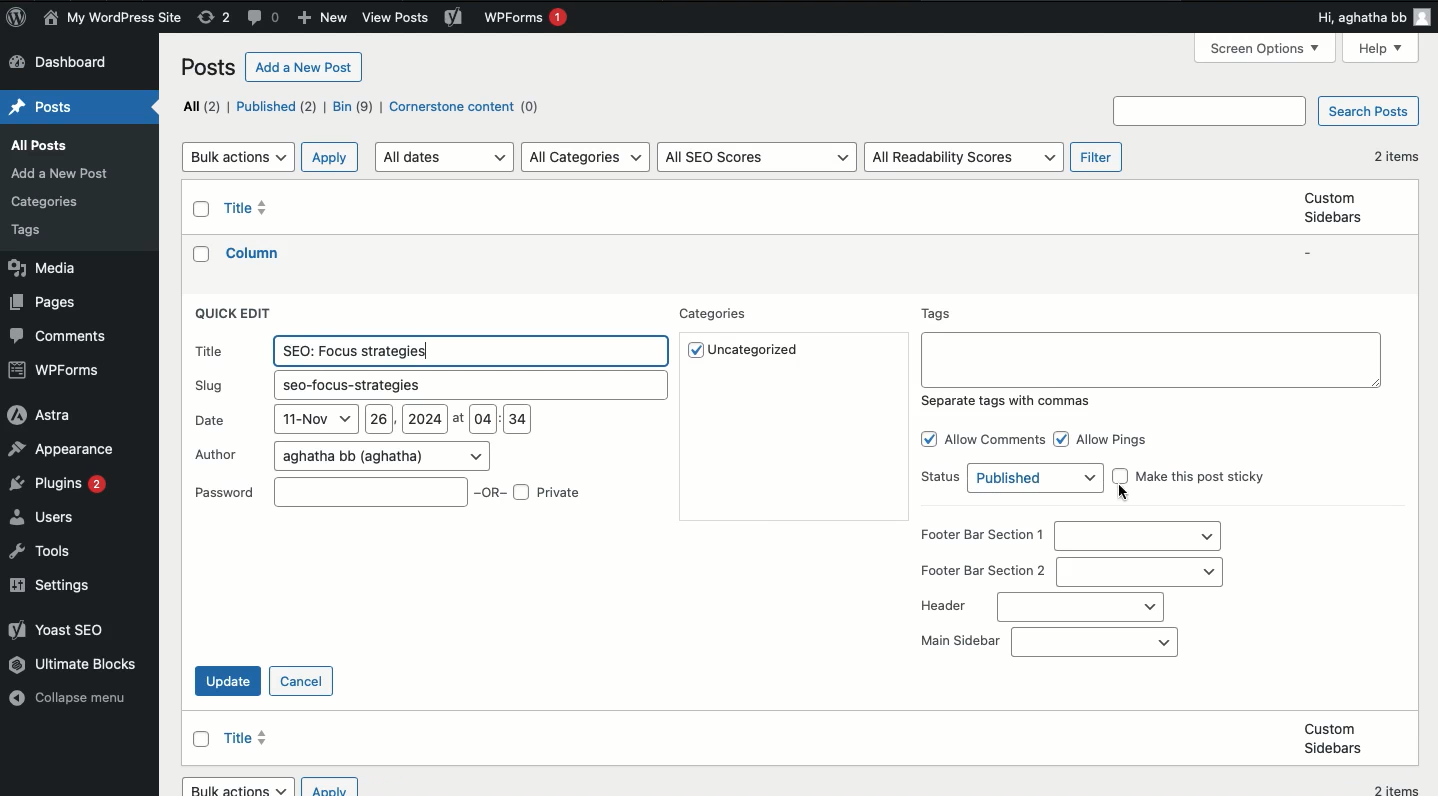 Image resolution: width=1438 pixels, height=796 pixels. Describe the element at coordinates (61, 64) in the screenshot. I see `Dashboard` at that location.